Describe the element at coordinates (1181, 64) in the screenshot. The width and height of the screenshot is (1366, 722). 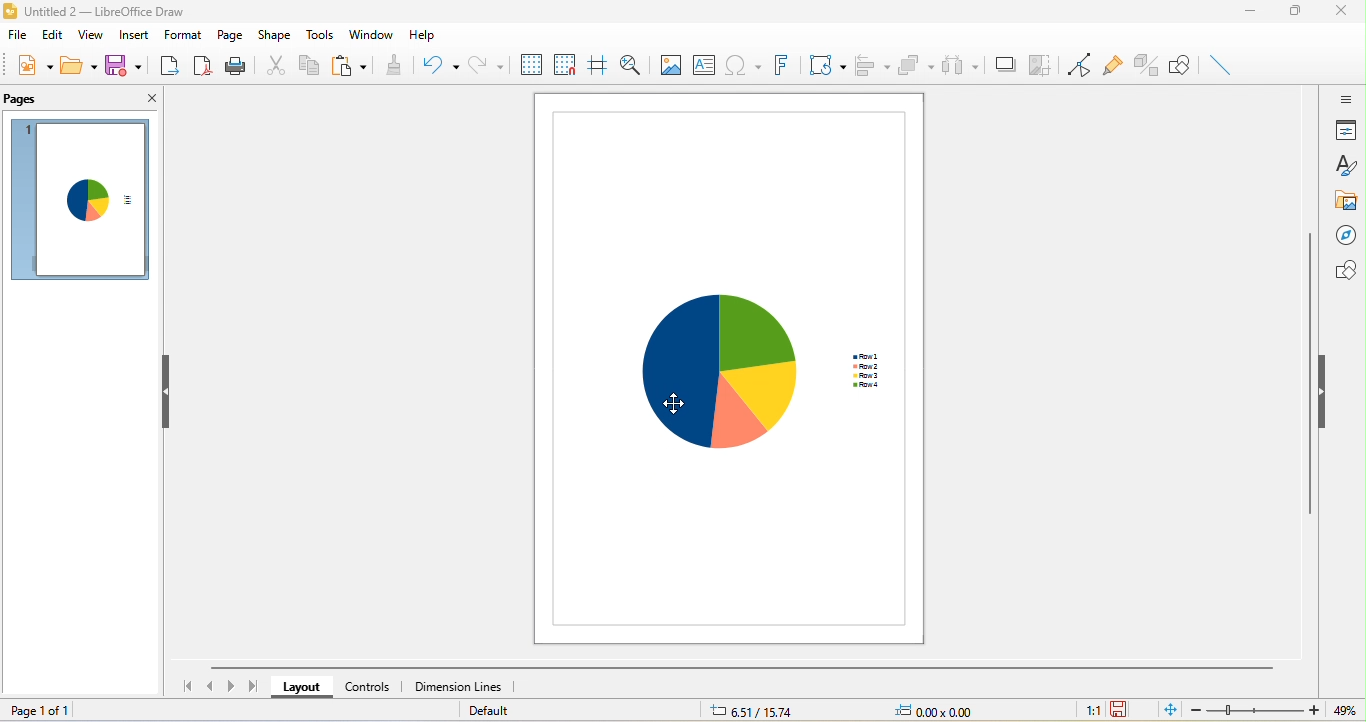
I see `show draw functions` at that location.